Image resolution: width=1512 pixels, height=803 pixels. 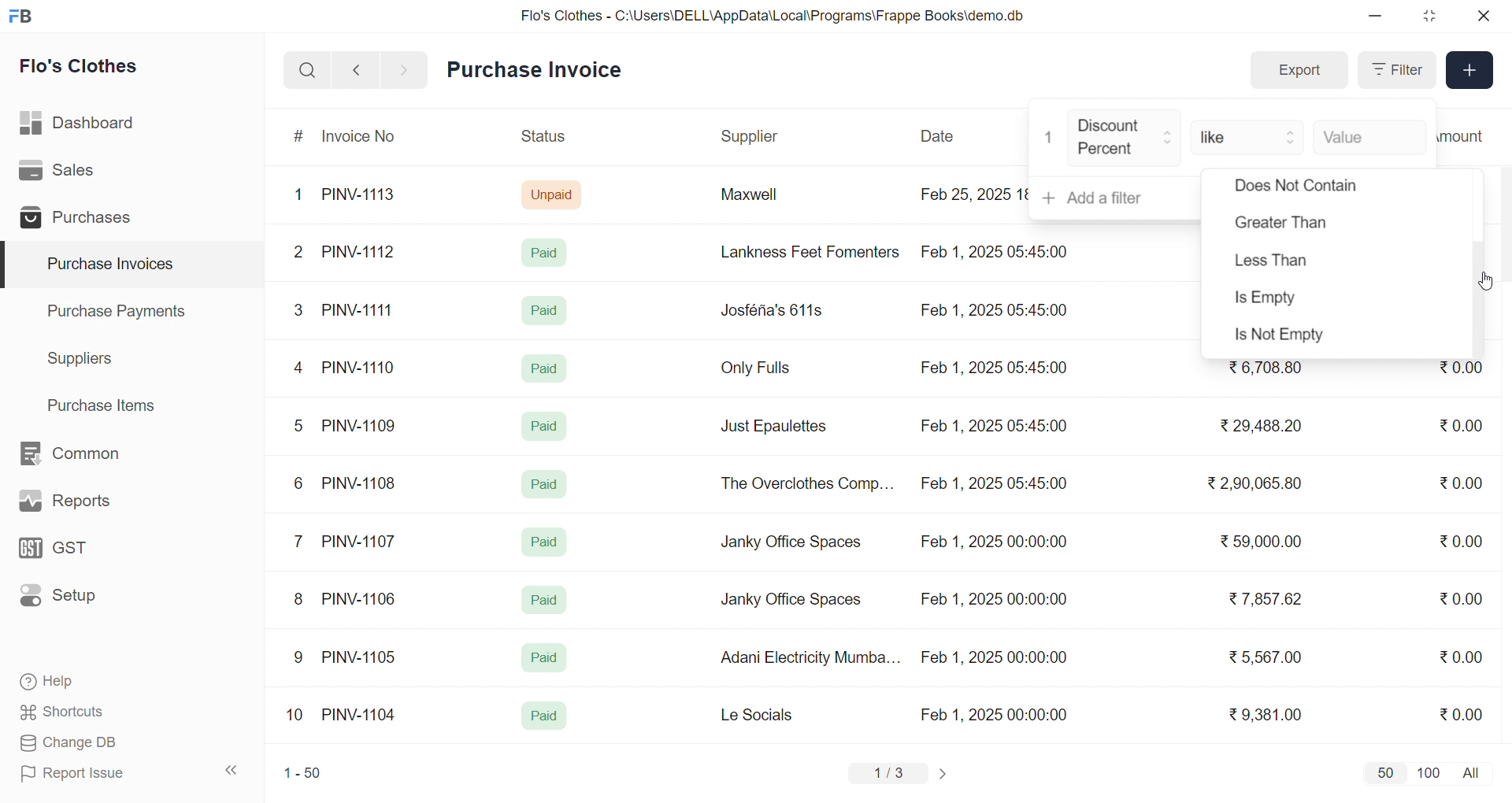 What do you see at coordinates (1303, 226) in the screenshot?
I see `Greater Than` at bounding box center [1303, 226].